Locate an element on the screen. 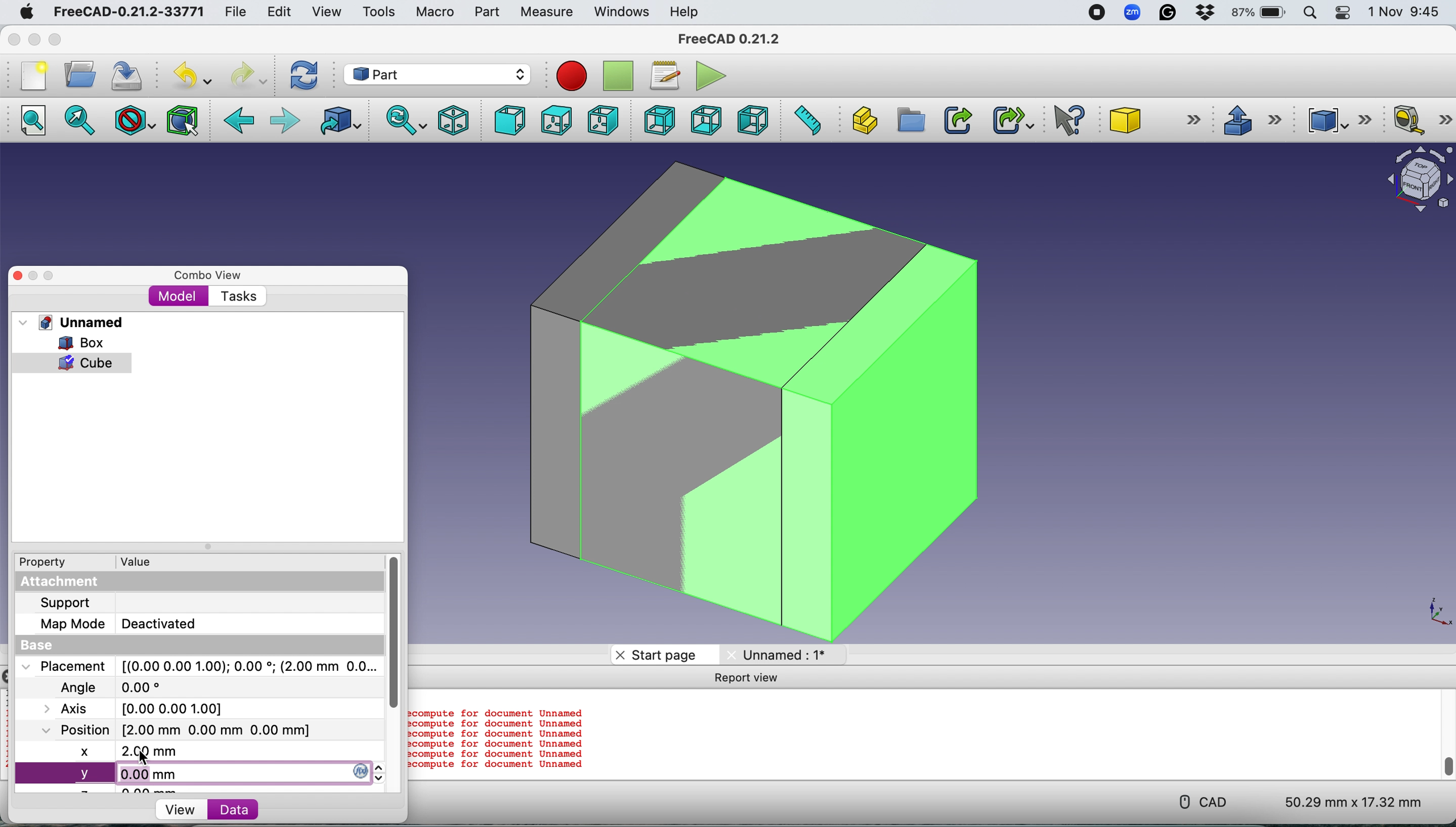 Image resolution: width=1456 pixels, height=827 pixels. Base is located at coordinates (47, 645).